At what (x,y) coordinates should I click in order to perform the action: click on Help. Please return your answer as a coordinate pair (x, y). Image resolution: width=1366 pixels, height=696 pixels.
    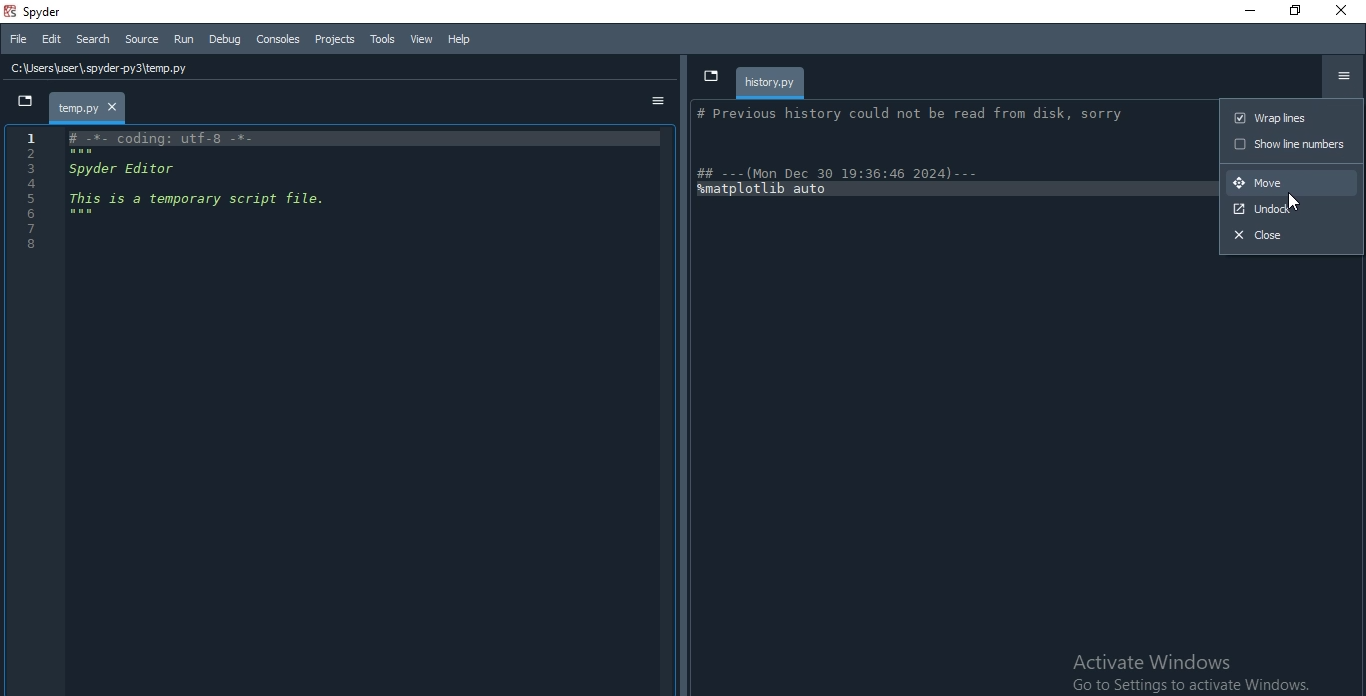
    Looking at the image, I should click on (460, 39).